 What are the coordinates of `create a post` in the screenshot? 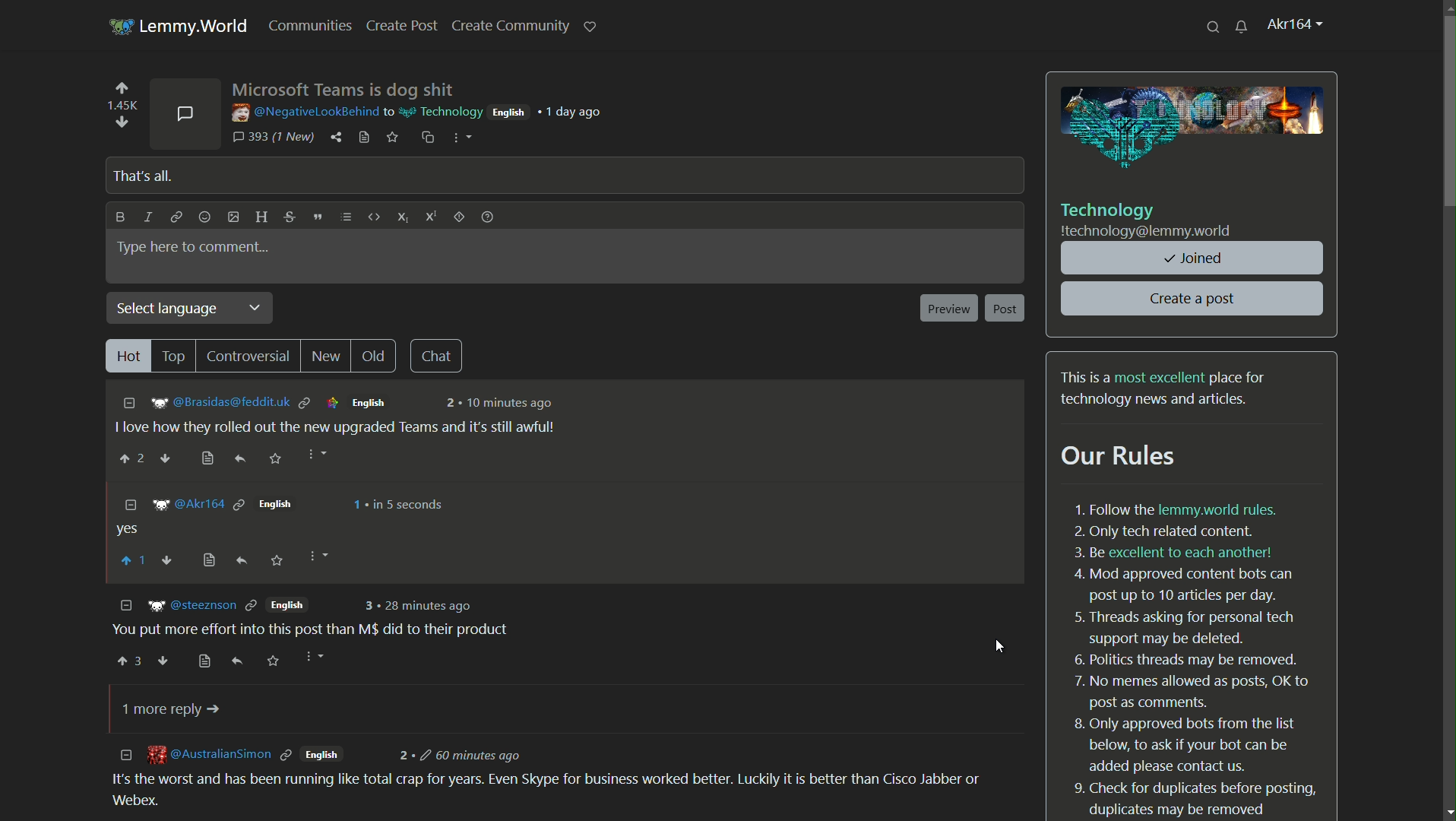 It's located at (1194, 299).